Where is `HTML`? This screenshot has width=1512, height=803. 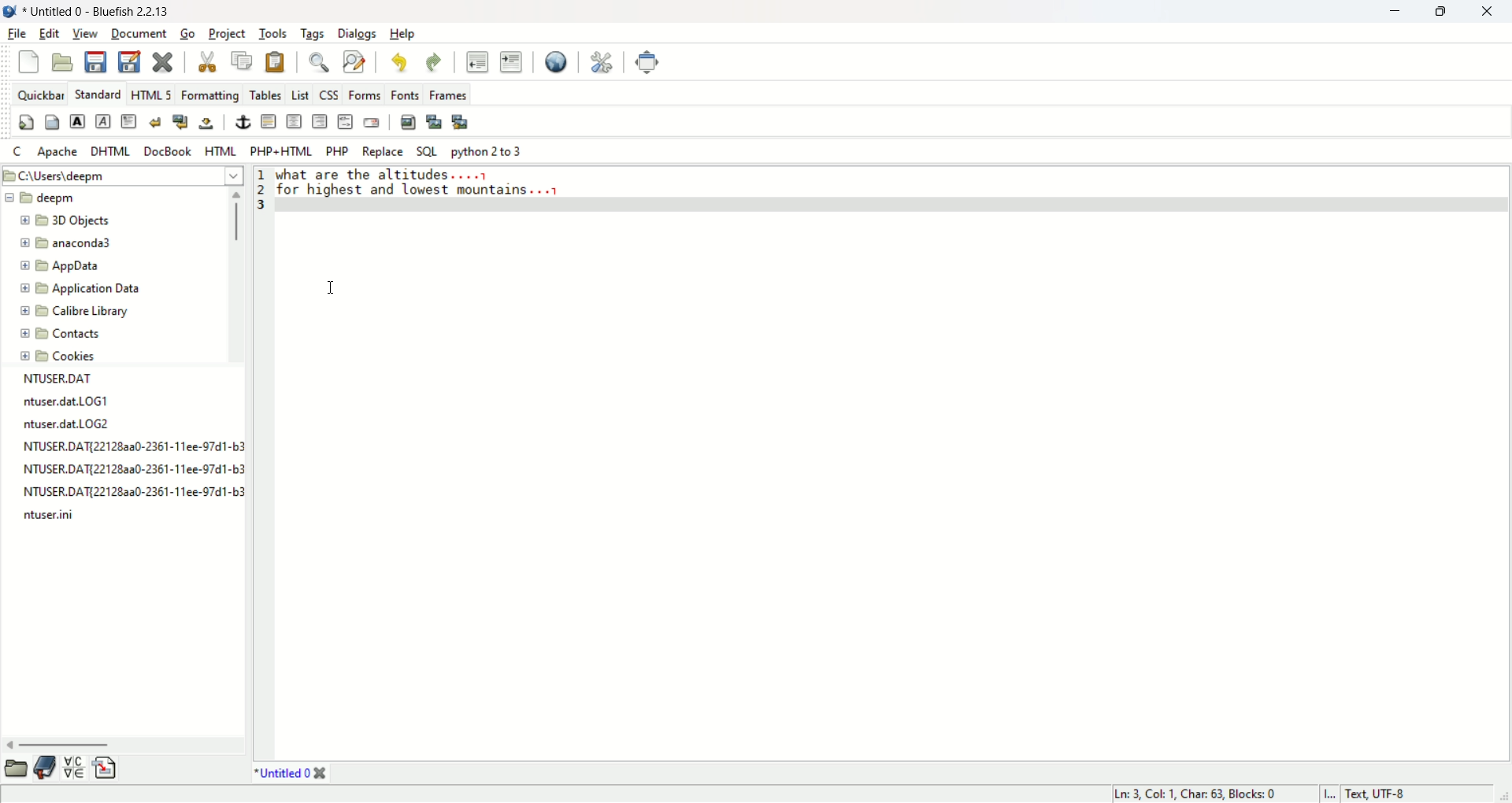 HTML is located at coordinates (222, 150).